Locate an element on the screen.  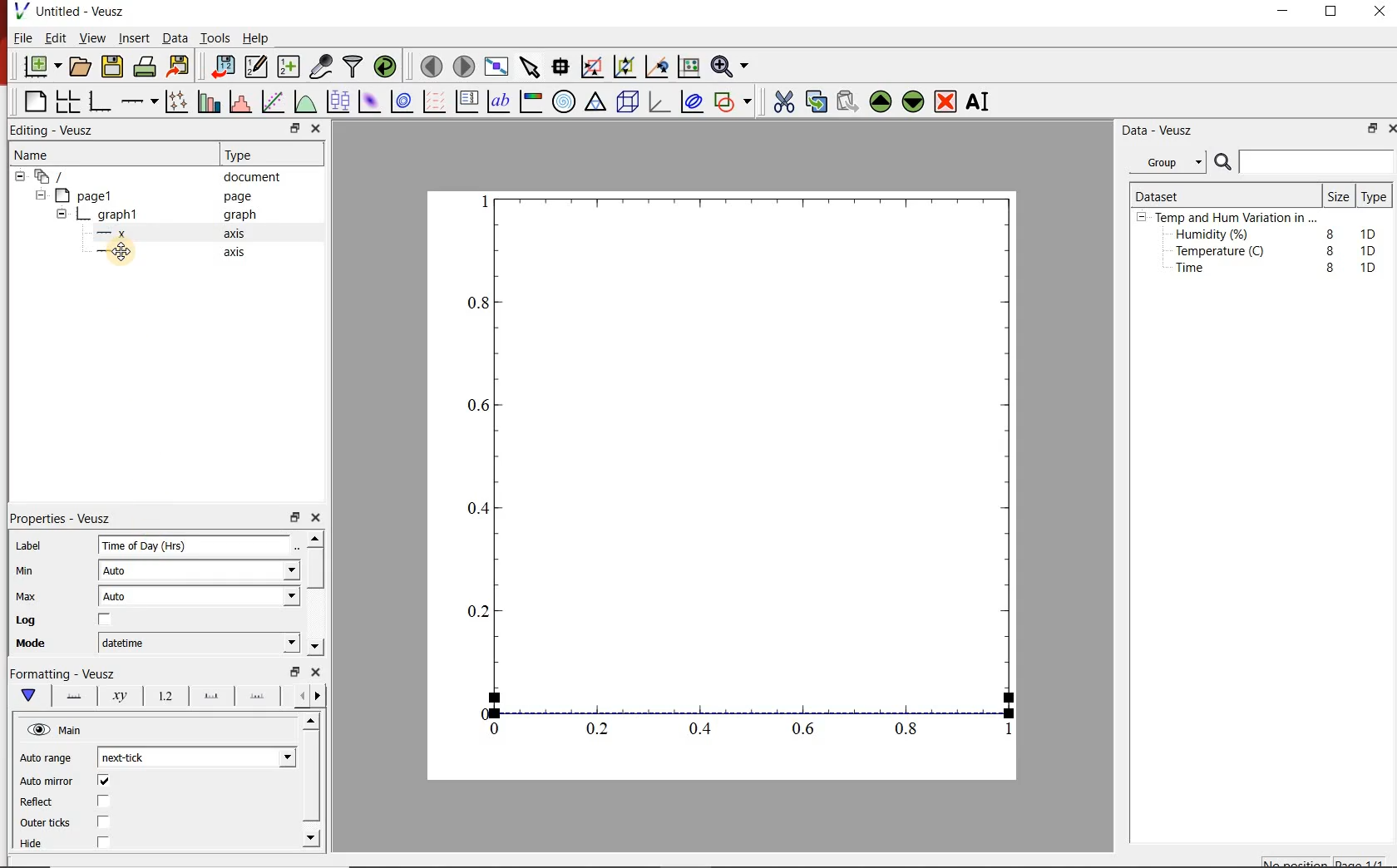
Fit a function to data is located at coordinates (274, 101).